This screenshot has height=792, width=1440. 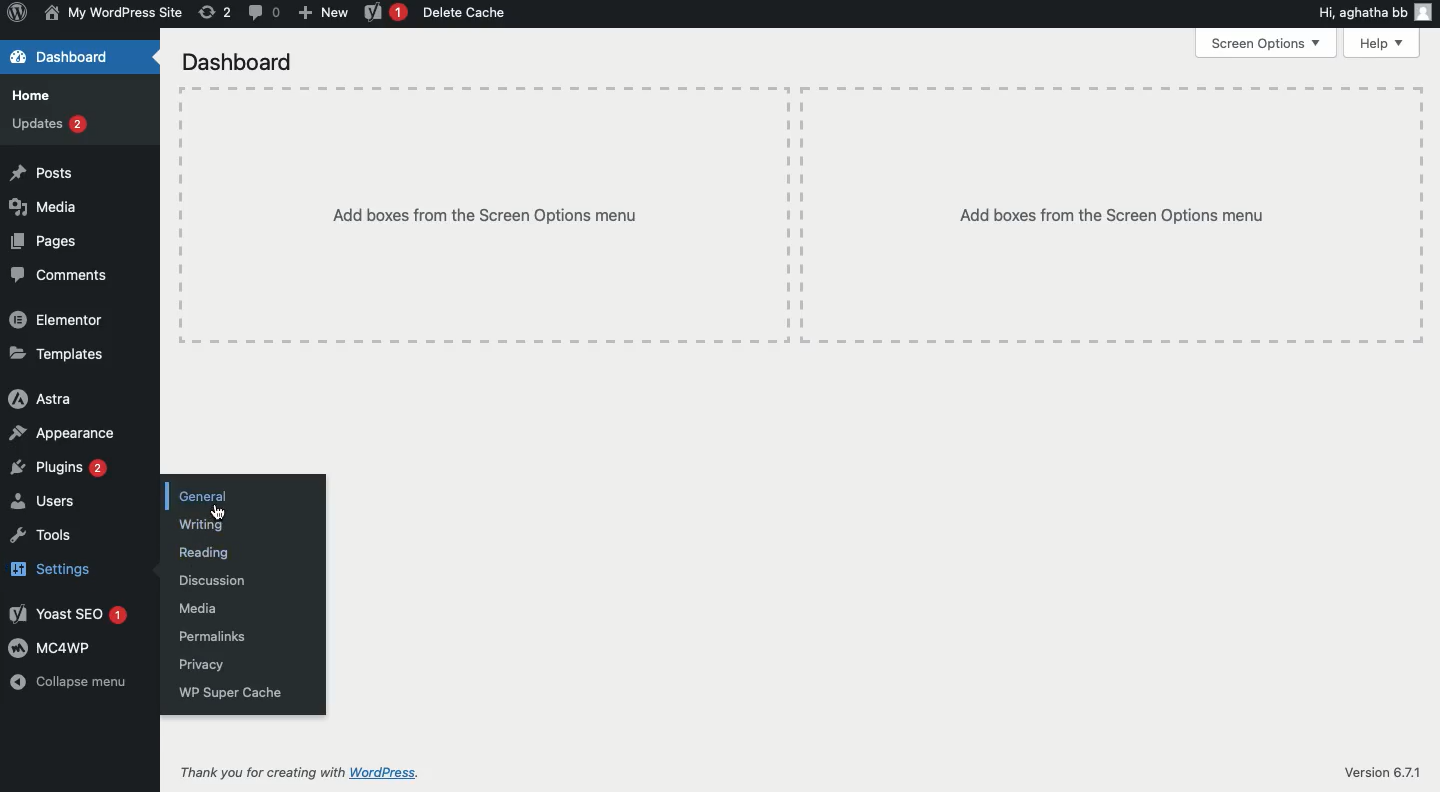 I want to click on Home, so click(x=34, y=95).